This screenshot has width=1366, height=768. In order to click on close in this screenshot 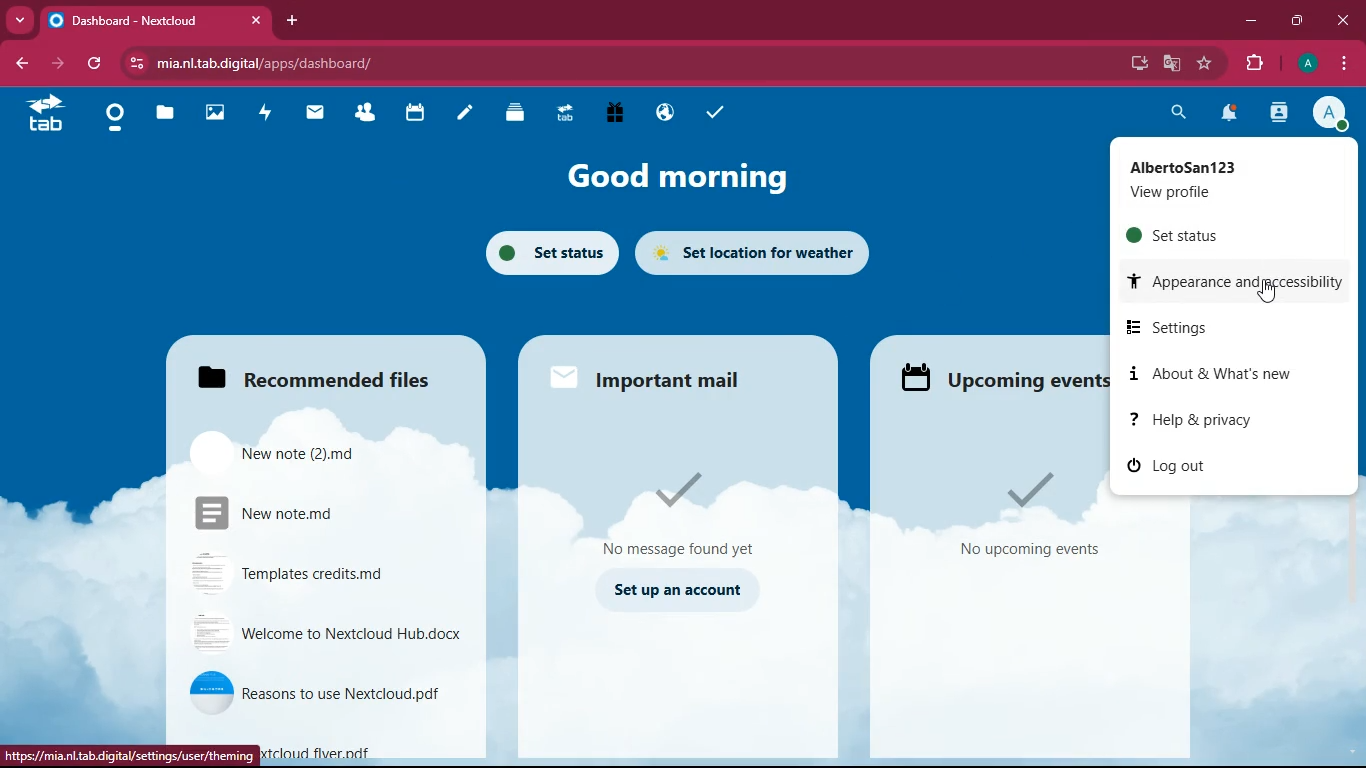, I will do `click(1344, 18)`.